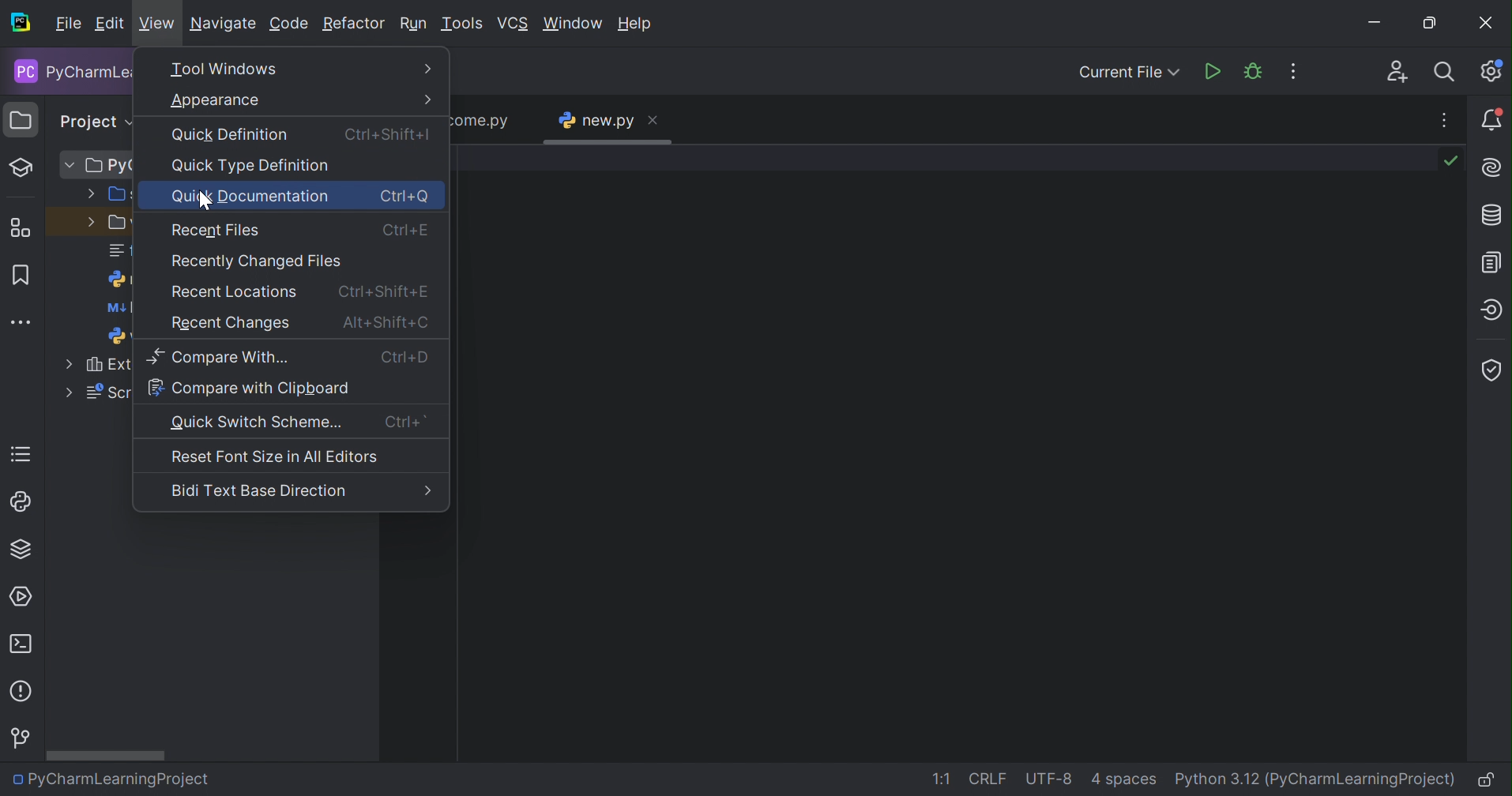  I want to click on new.py, so click(596, 120).